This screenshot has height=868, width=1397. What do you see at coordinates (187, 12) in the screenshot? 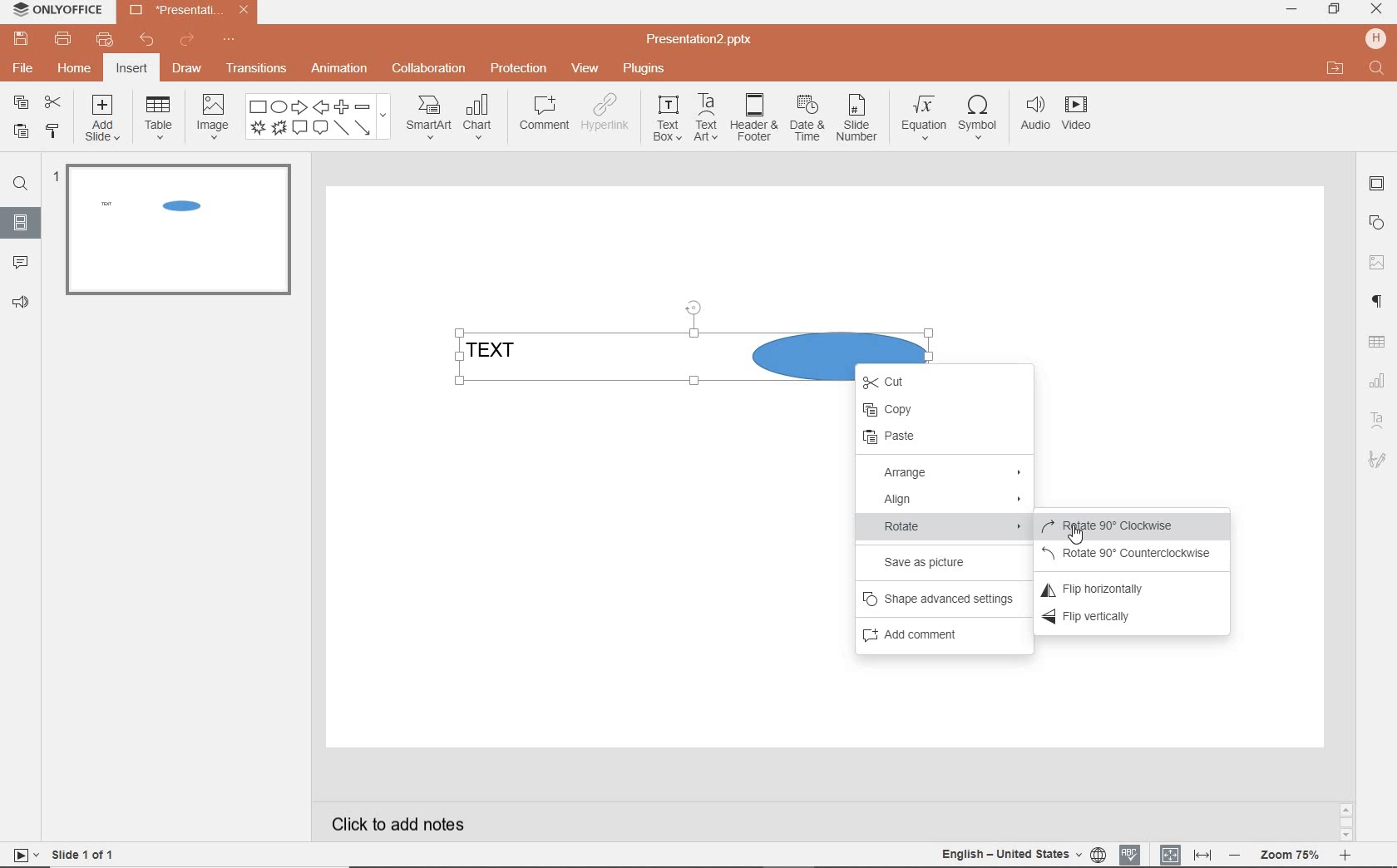
I see `Presentation2.pptx` at bounding box center [187, 12].